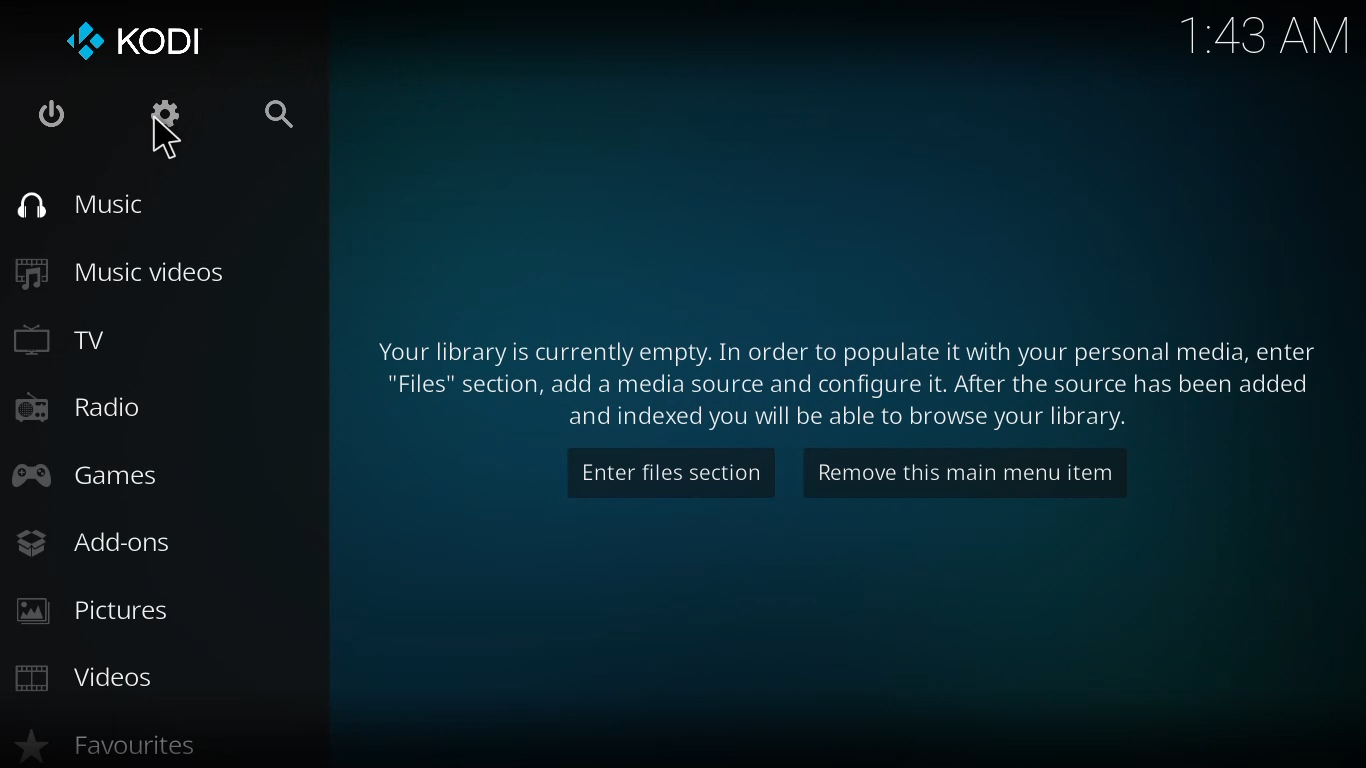 Image resolution: width=1366 pixels, height=768 pixels. I want to click on power, so click(46, 114).